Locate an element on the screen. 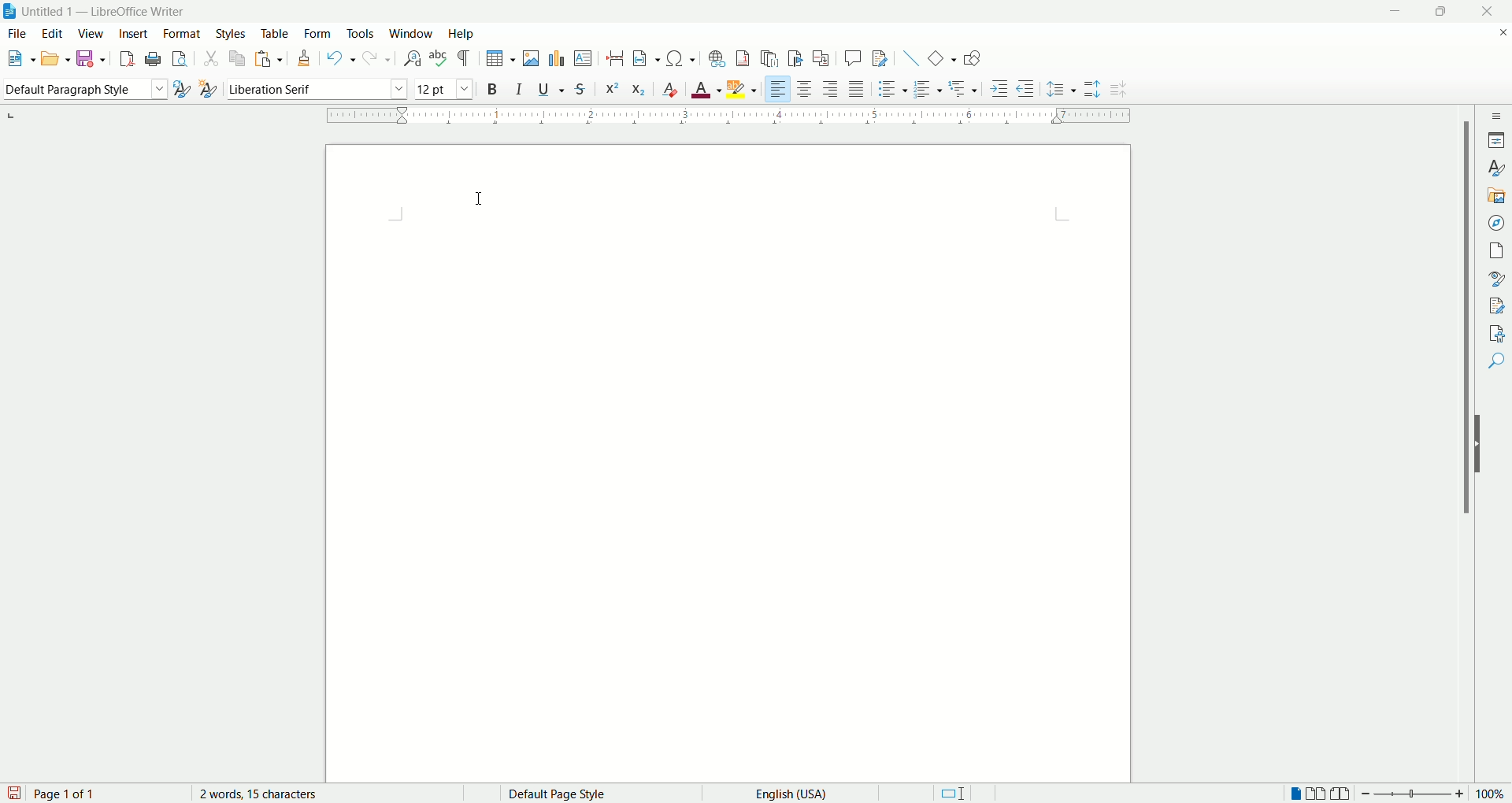  open is located at coordinates (50, 58).